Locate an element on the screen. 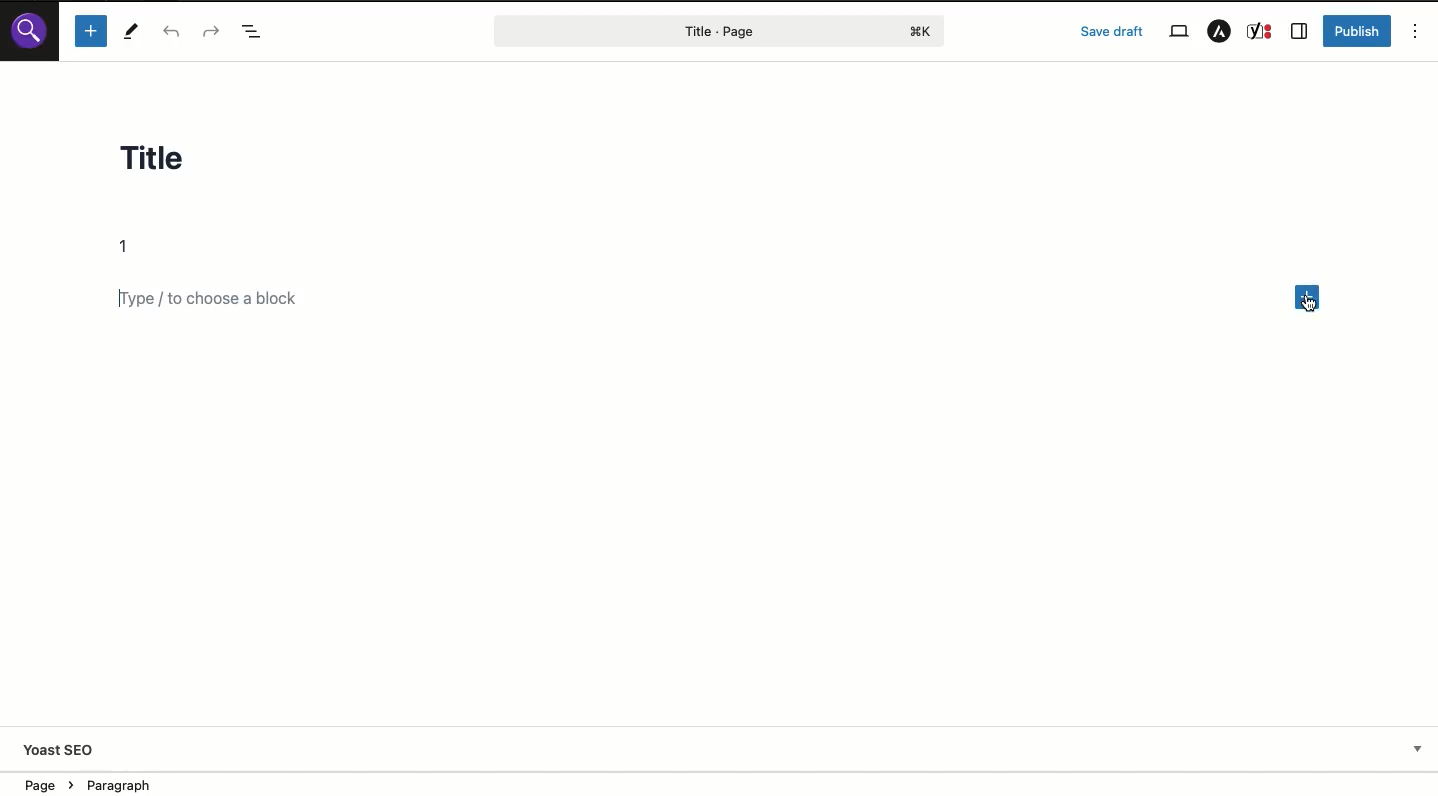  Tools is located at coordinates (132, 31).